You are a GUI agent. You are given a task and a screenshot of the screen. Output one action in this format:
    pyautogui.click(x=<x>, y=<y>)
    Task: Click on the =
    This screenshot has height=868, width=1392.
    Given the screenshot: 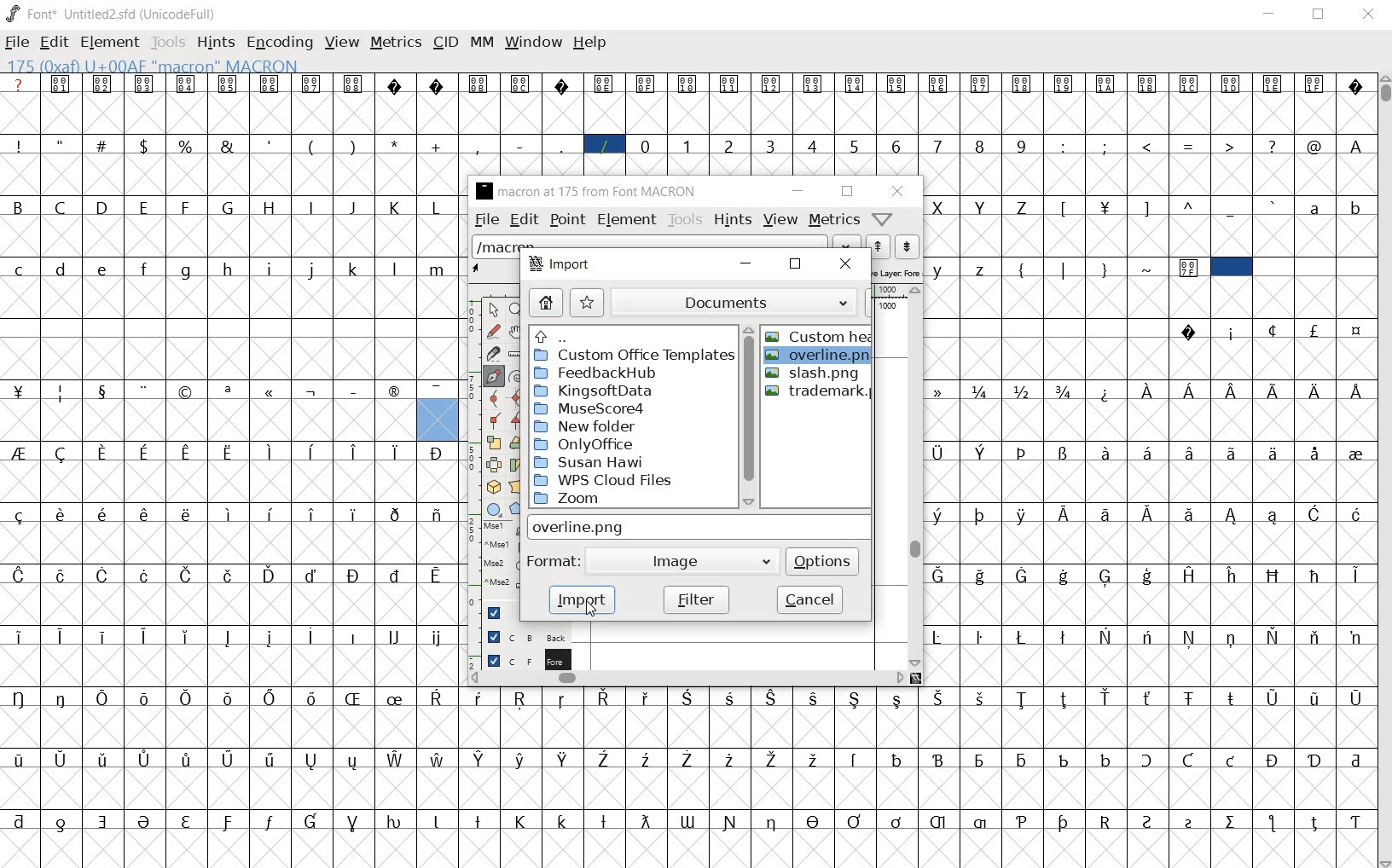 What is the action you would take?
    pyautogui.click(x=1192, y=145)
    